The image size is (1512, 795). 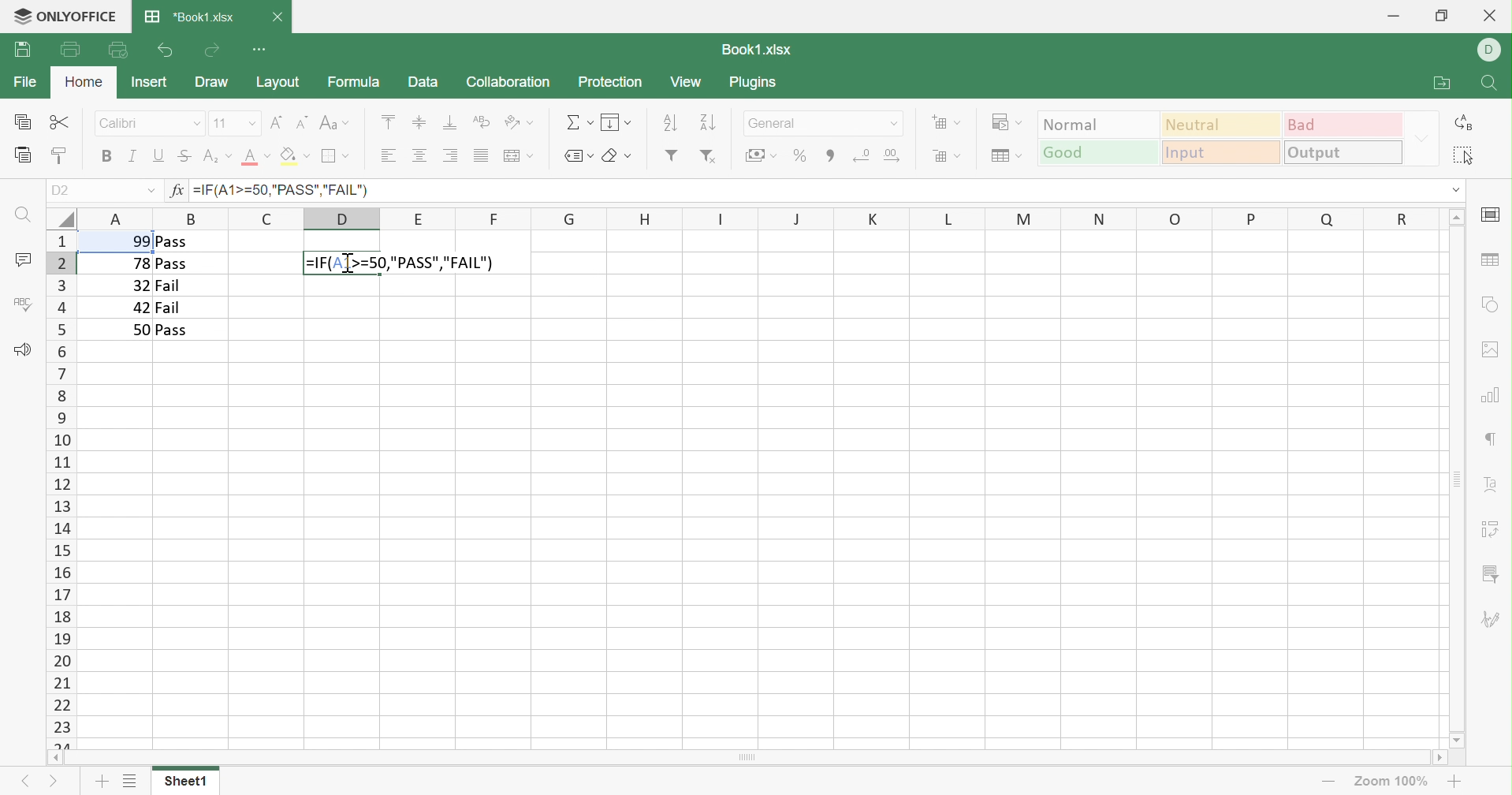 I want to click on Fail, so click(x=167, y=286).